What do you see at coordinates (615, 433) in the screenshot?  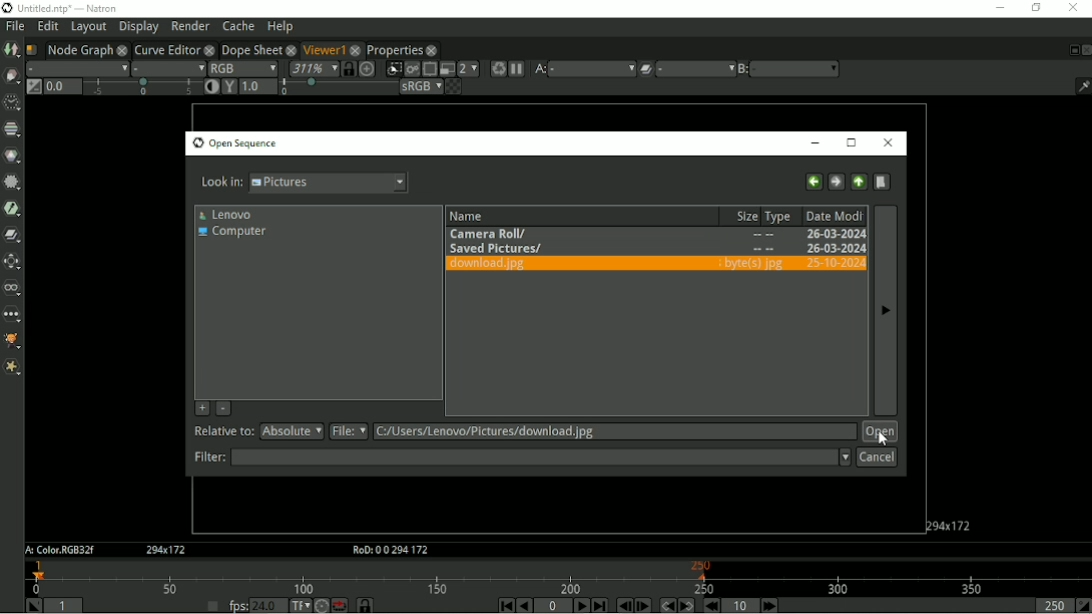 I see `Relative to` at bounding box center [615, 433].